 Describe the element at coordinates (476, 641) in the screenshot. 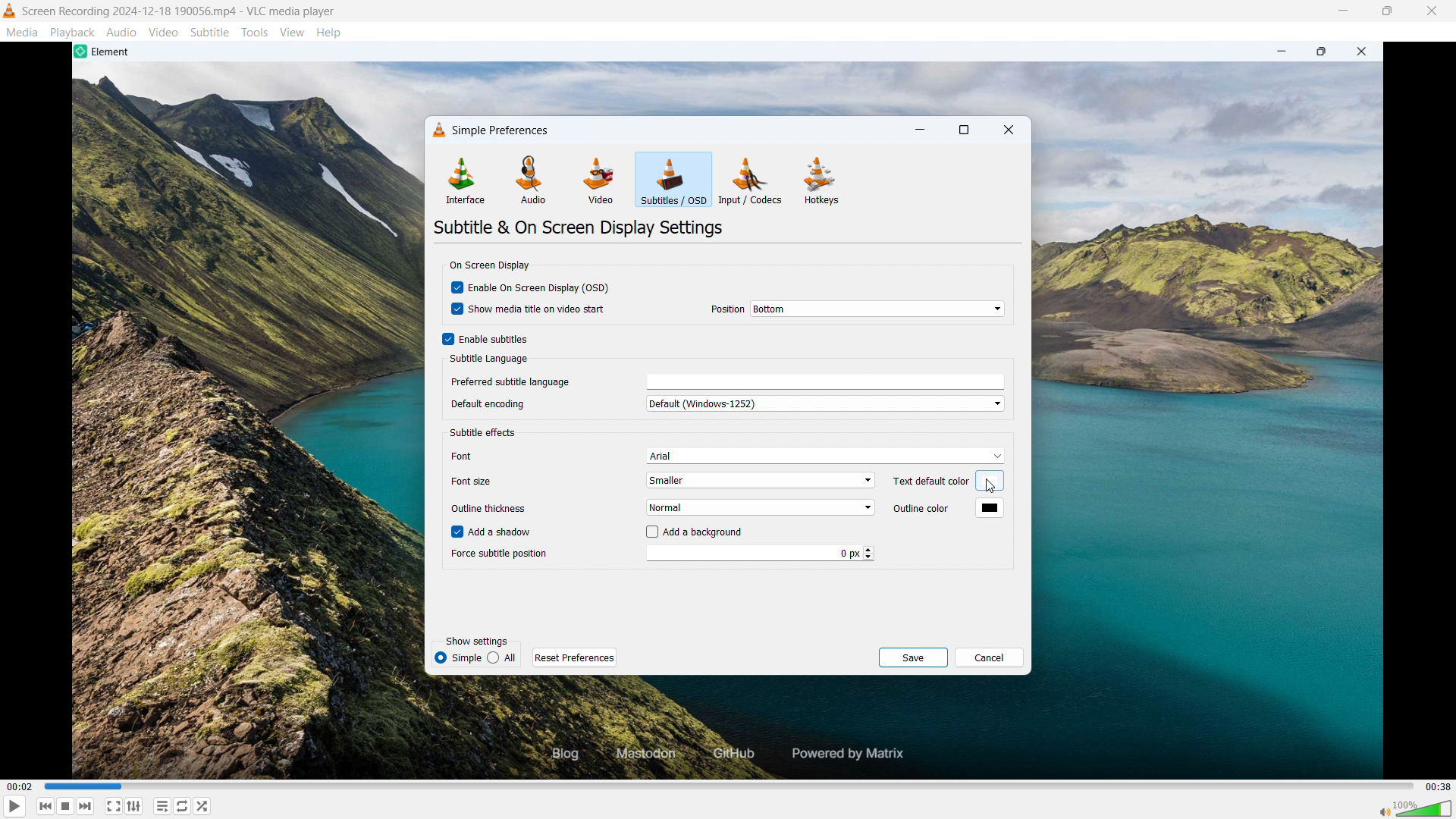

I see `Show settings` at that location.